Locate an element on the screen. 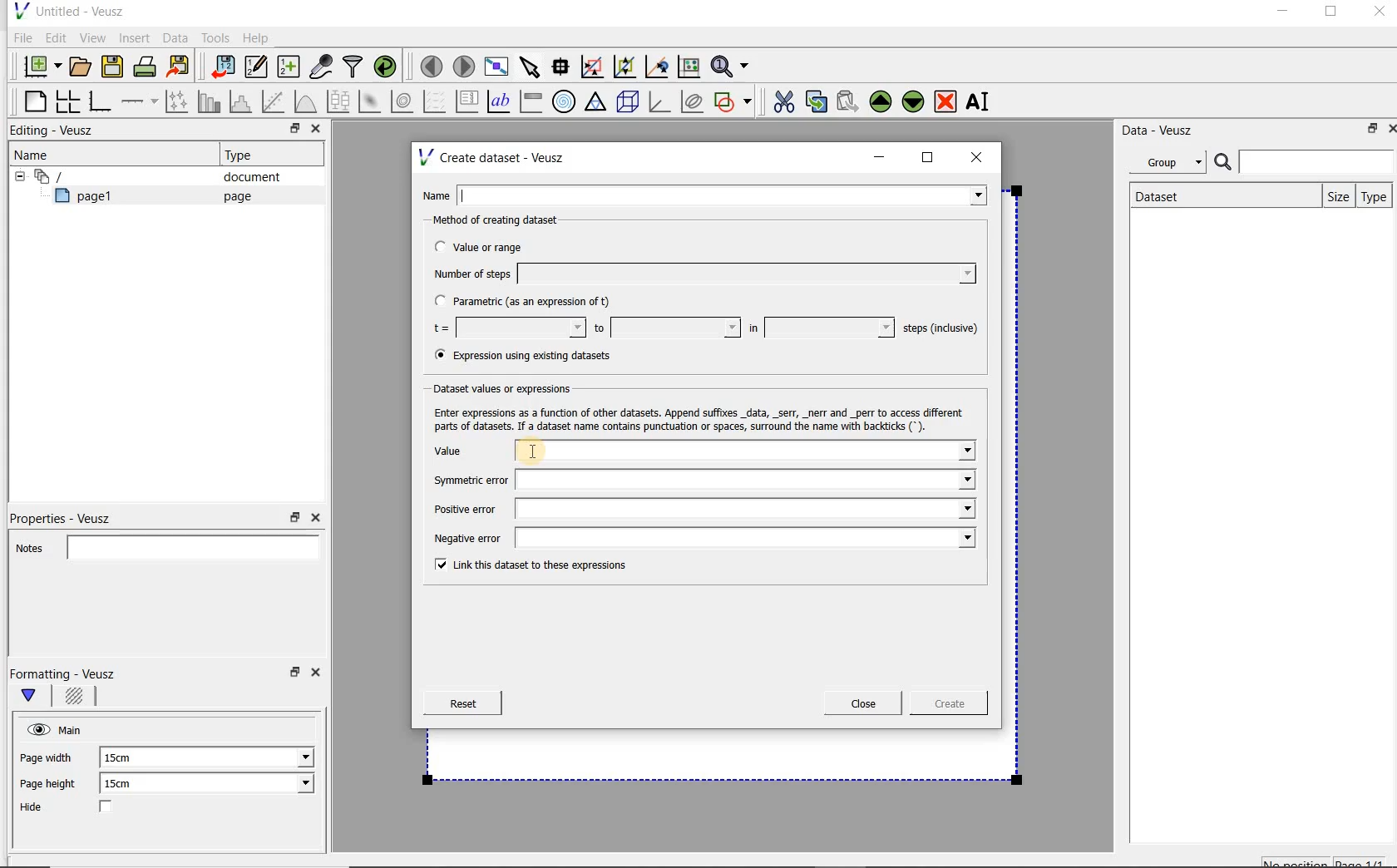 Image resolution: width=1397 pixels, height=868 pixels. Plot points with lines and error bars is located at coordinates (178, 101).